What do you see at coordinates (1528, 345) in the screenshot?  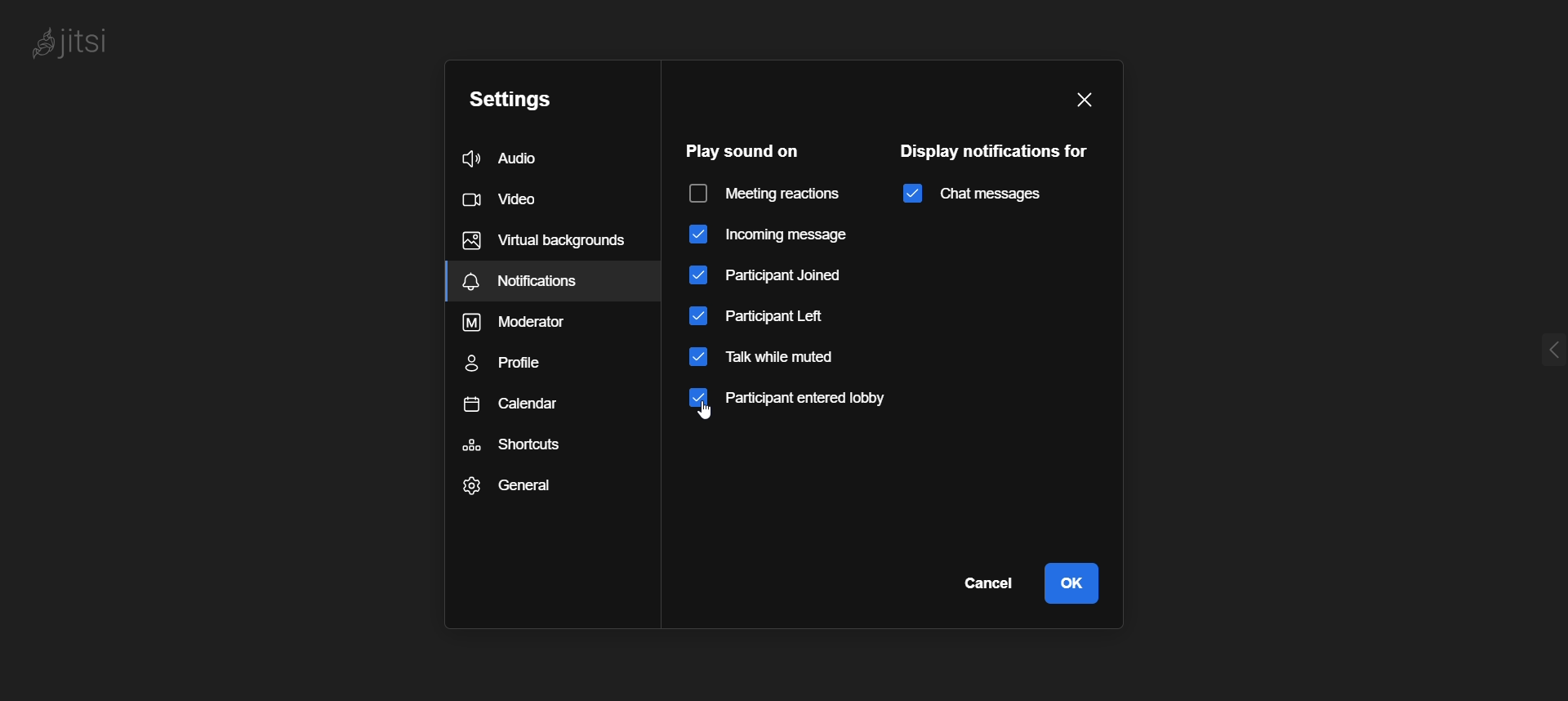 I see `expand` at bounding box center [1528, 345].